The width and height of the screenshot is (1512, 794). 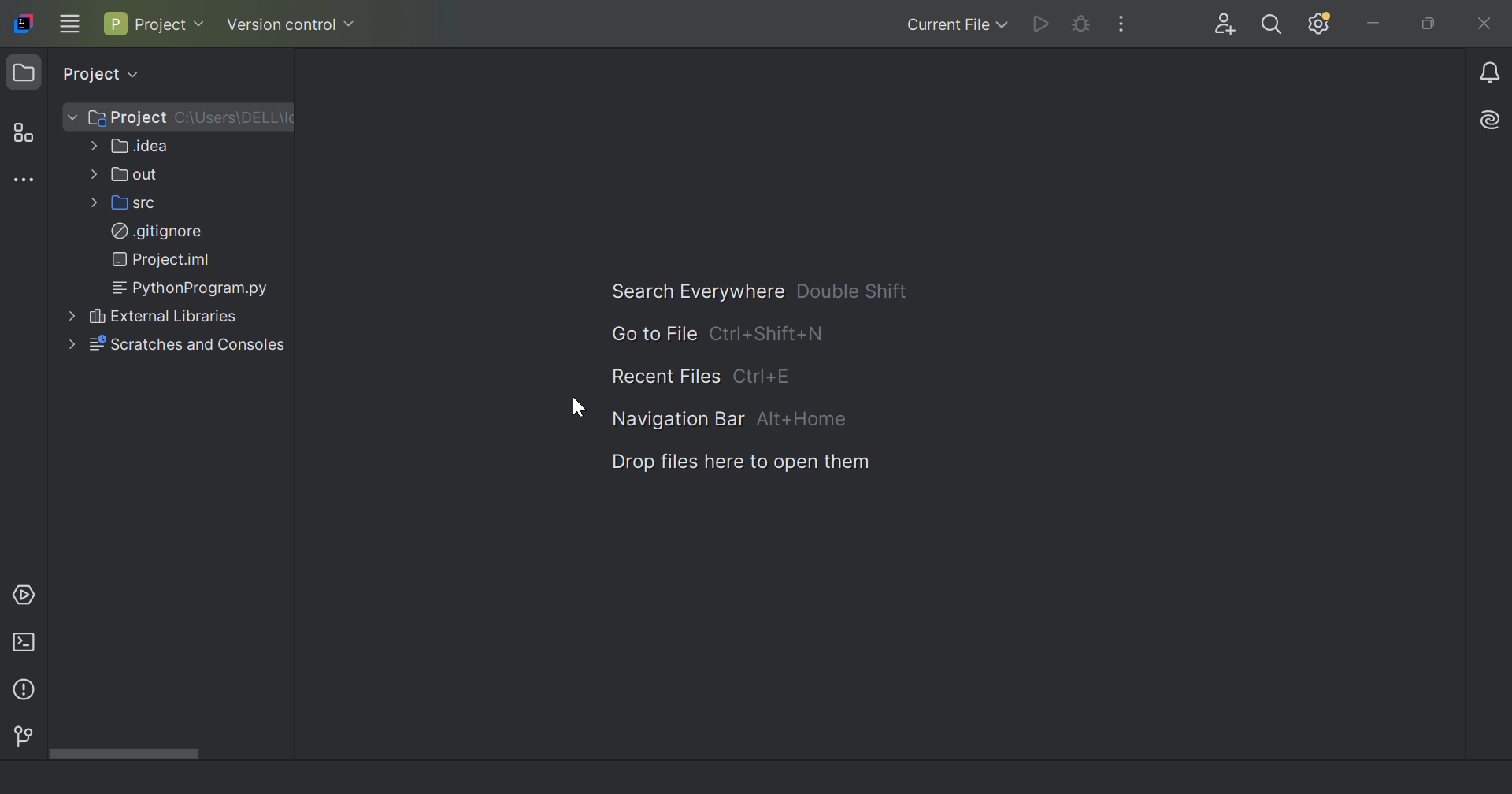 I want to click on Scratches and controls, so click(x=176, y=344).